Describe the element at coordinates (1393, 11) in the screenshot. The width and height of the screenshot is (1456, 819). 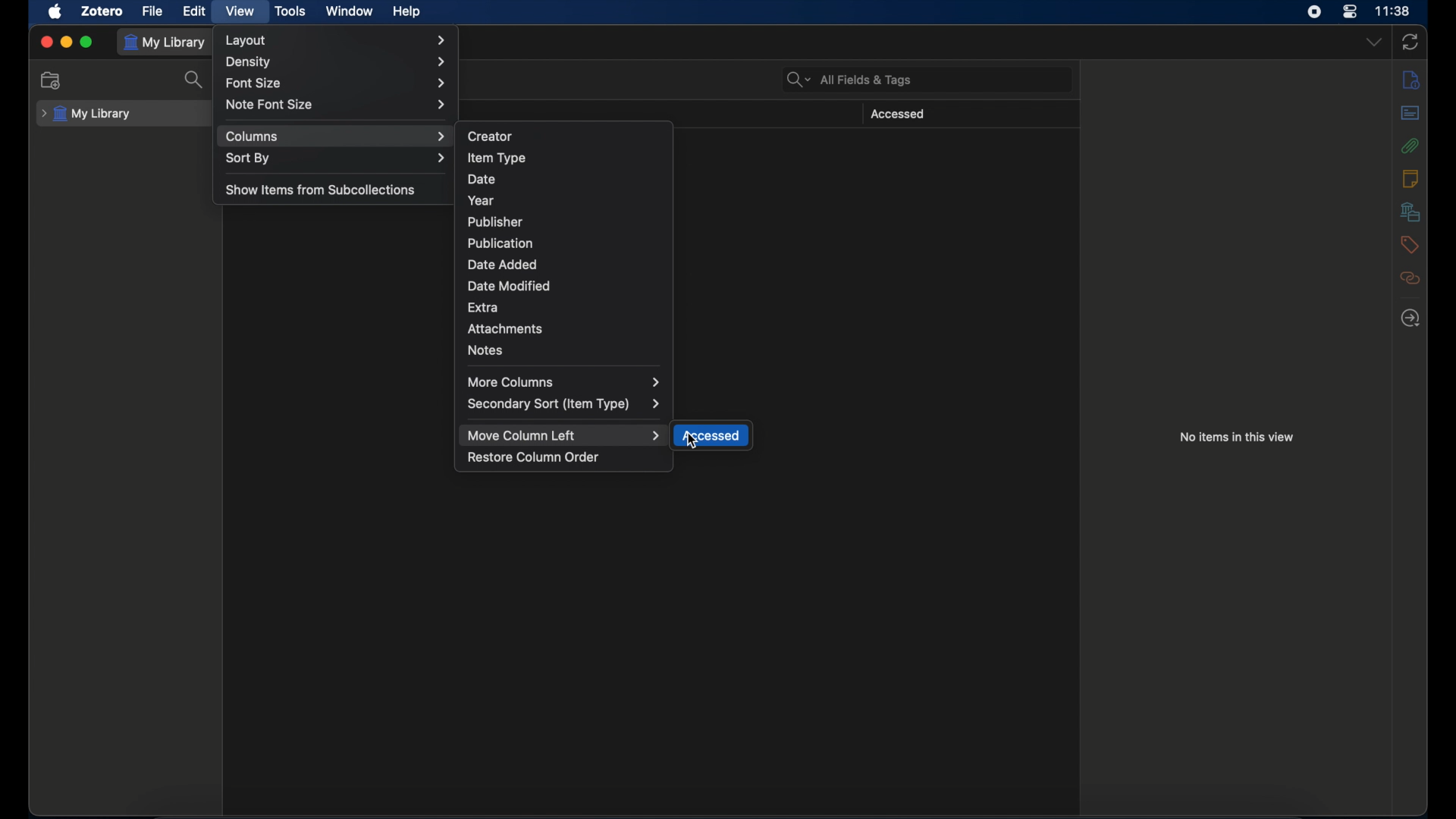
I see `time` at that location.